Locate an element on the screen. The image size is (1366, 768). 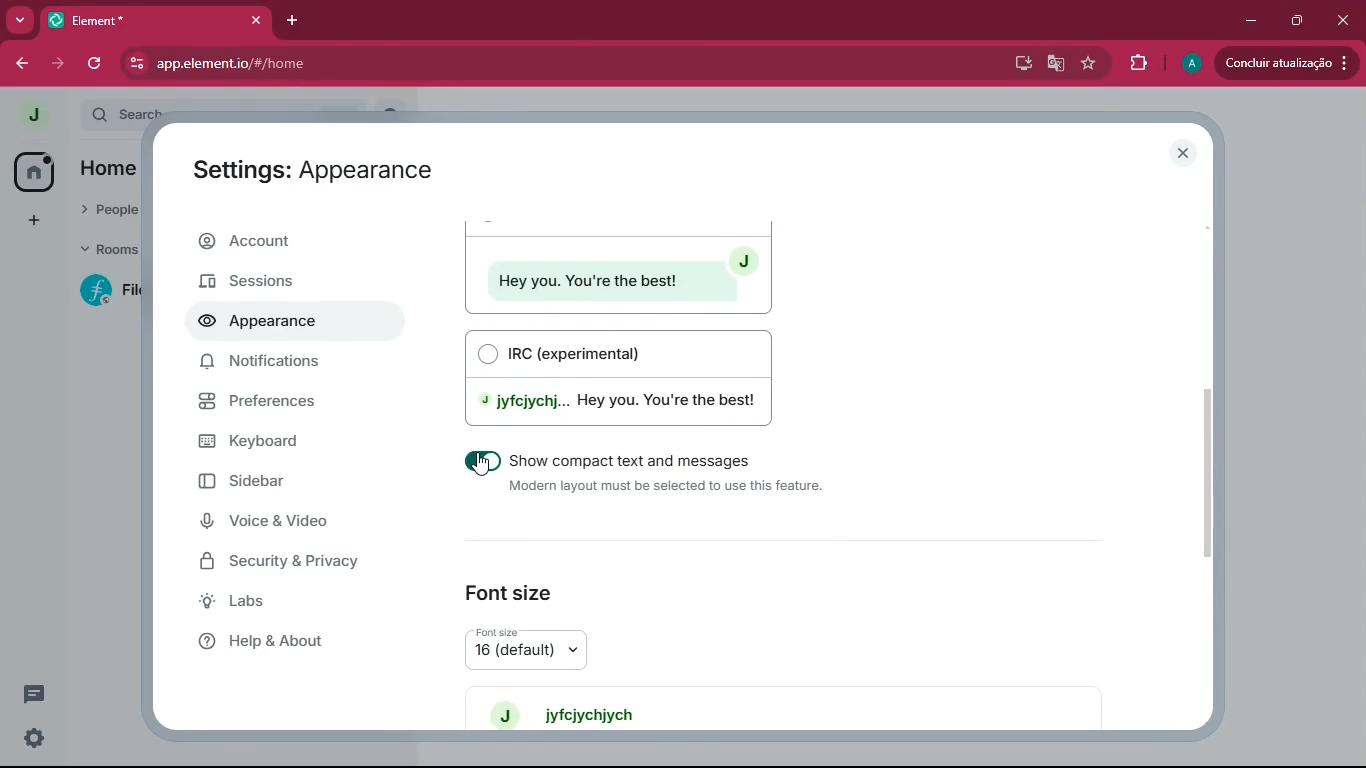
account is located at coordinates (294, 244).